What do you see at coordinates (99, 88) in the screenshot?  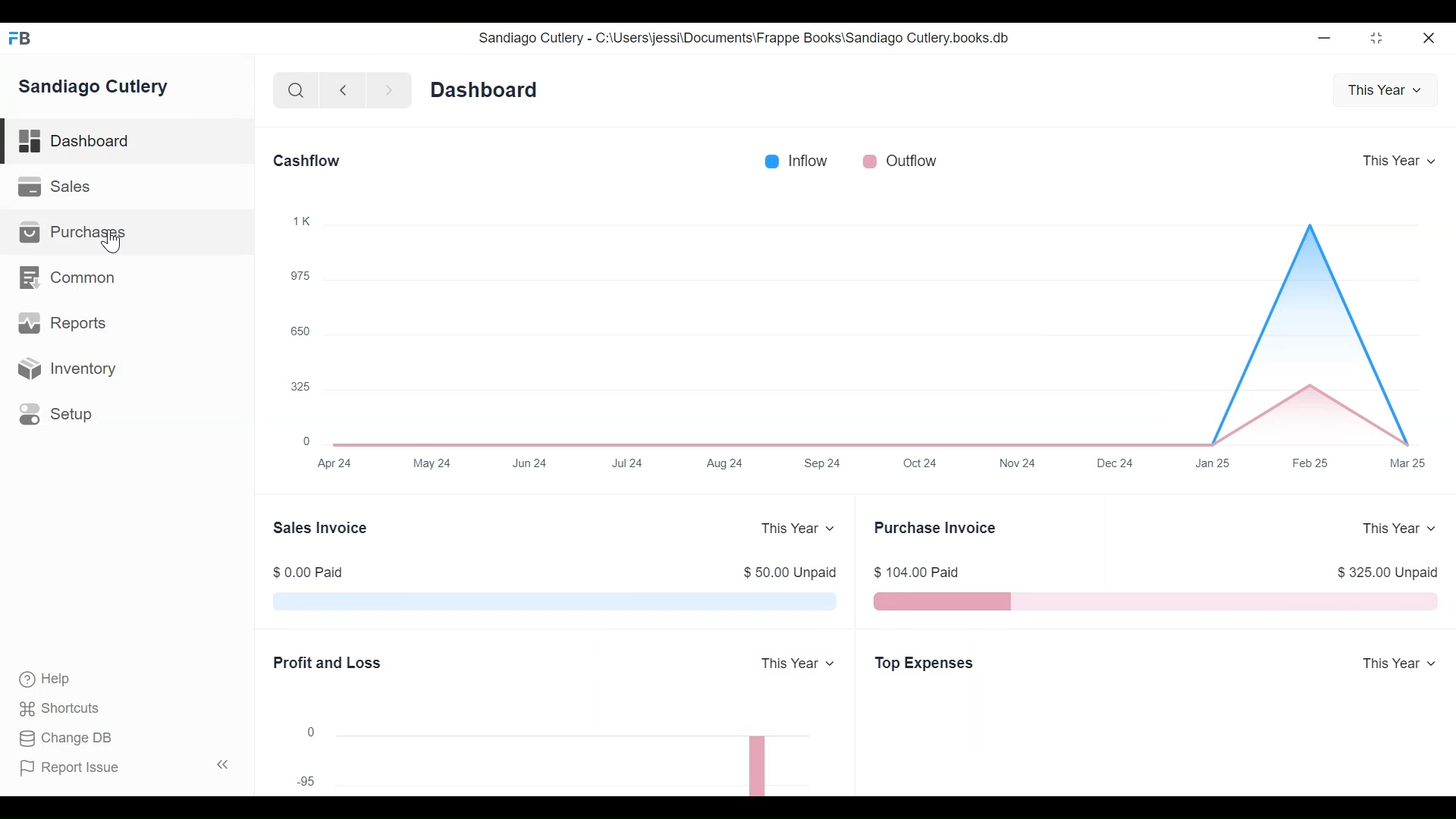 I see `Sandiago Cutlery` at bounding box center [99, 88].